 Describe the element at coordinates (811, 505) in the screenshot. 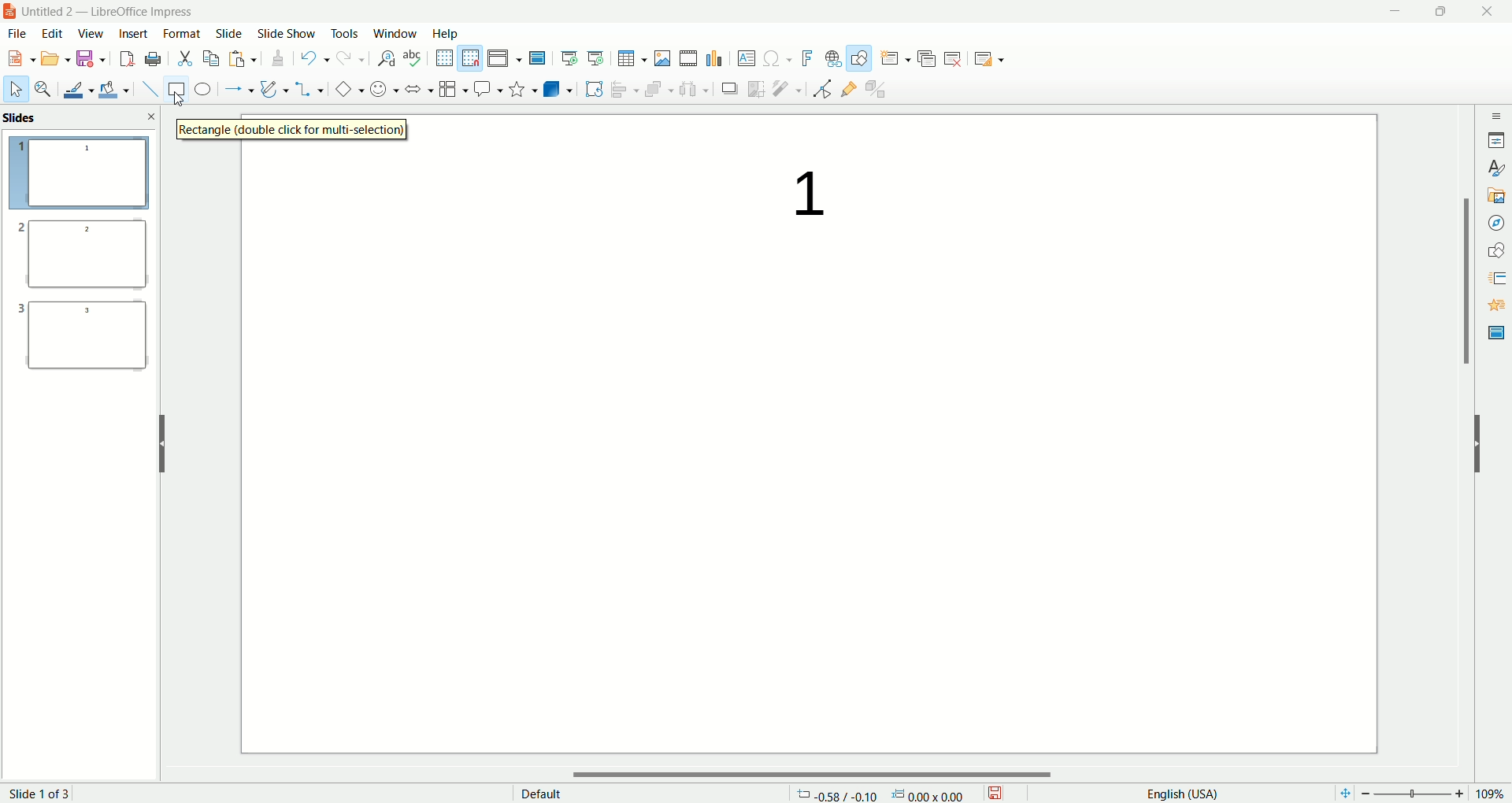

I see `workspace` at that location.